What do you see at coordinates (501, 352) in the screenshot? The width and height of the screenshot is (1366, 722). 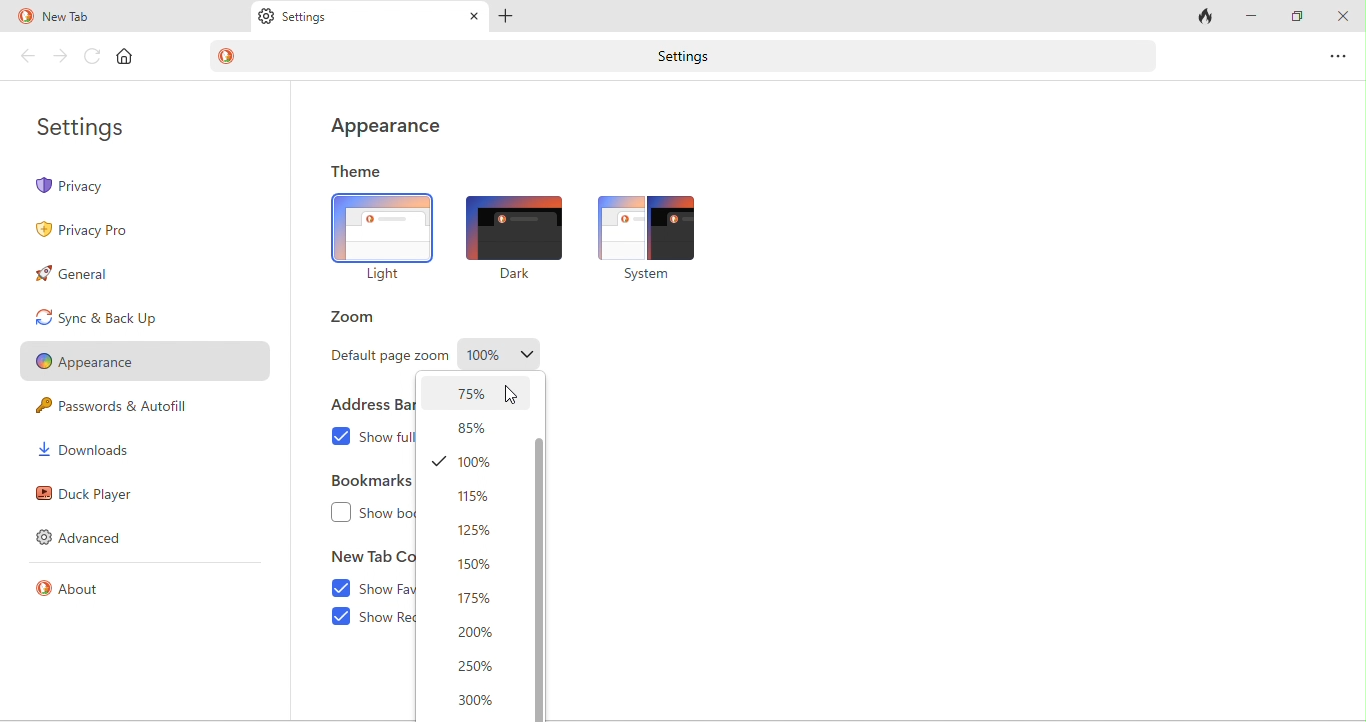 I see `page zoom-100%` at bounding box center [501, 352].